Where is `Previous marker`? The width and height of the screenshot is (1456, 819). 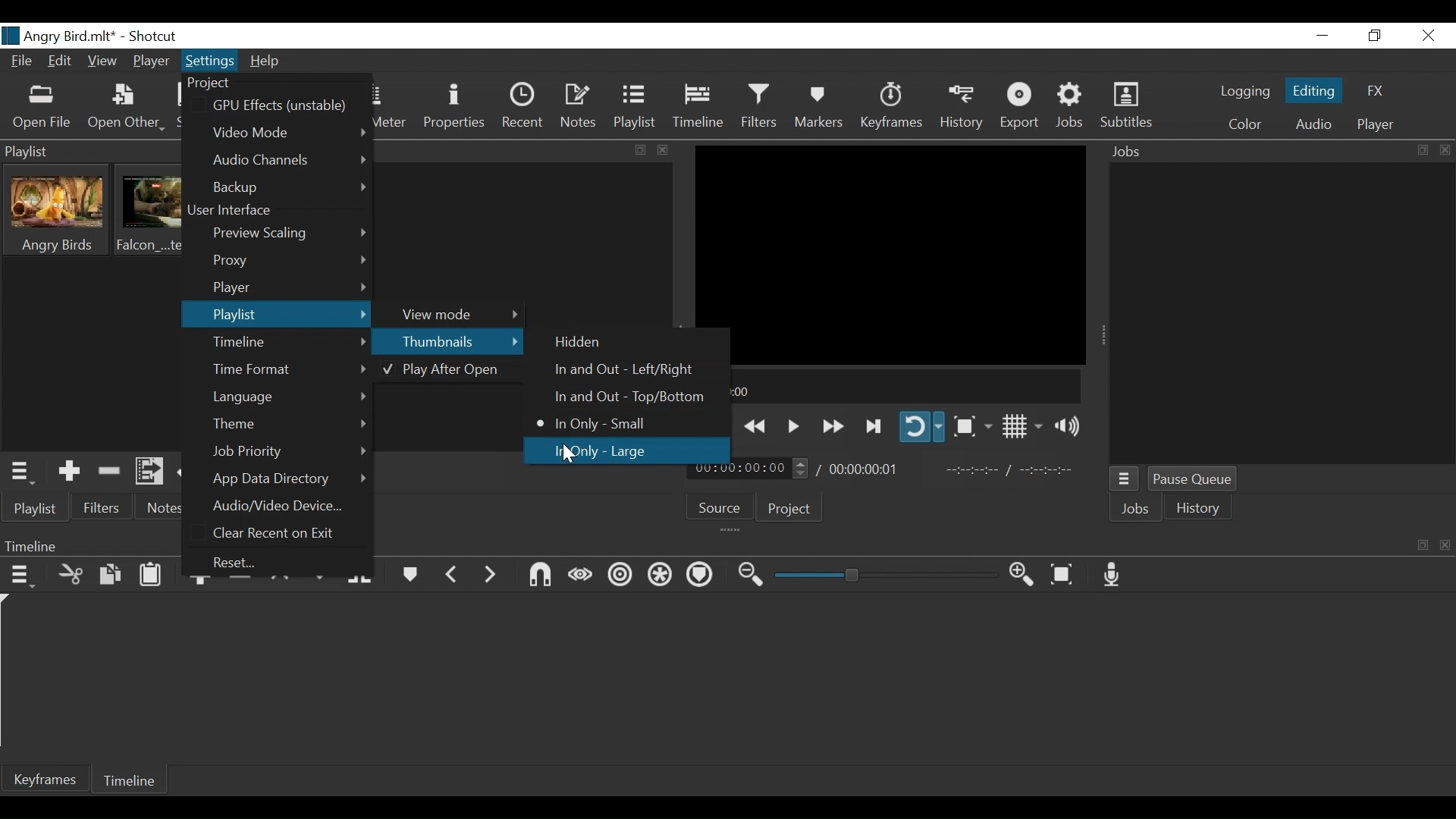 Previous marker is located at coordinates (452, 578).